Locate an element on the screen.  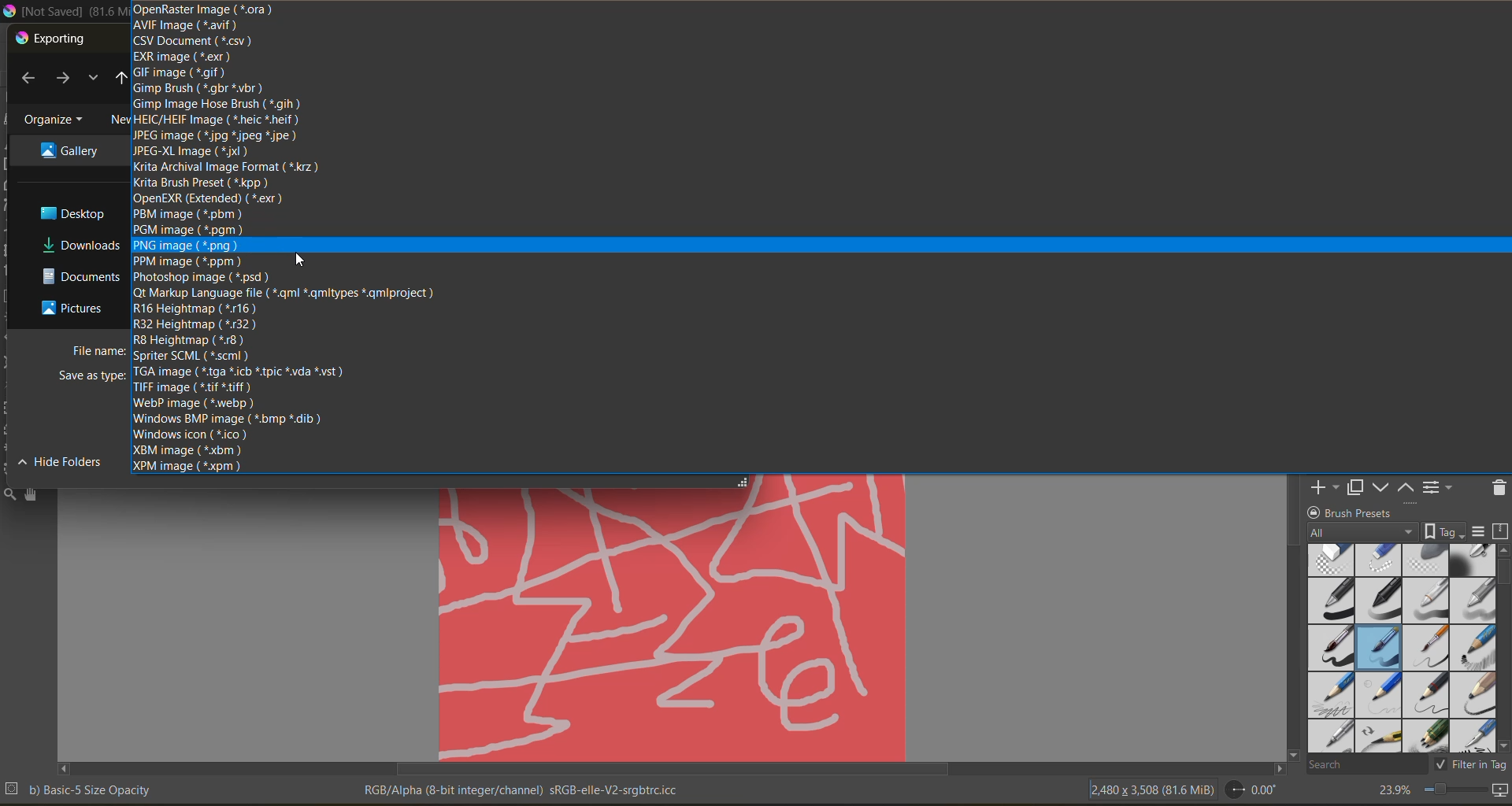
tga image is located at coordinates (236, 371).